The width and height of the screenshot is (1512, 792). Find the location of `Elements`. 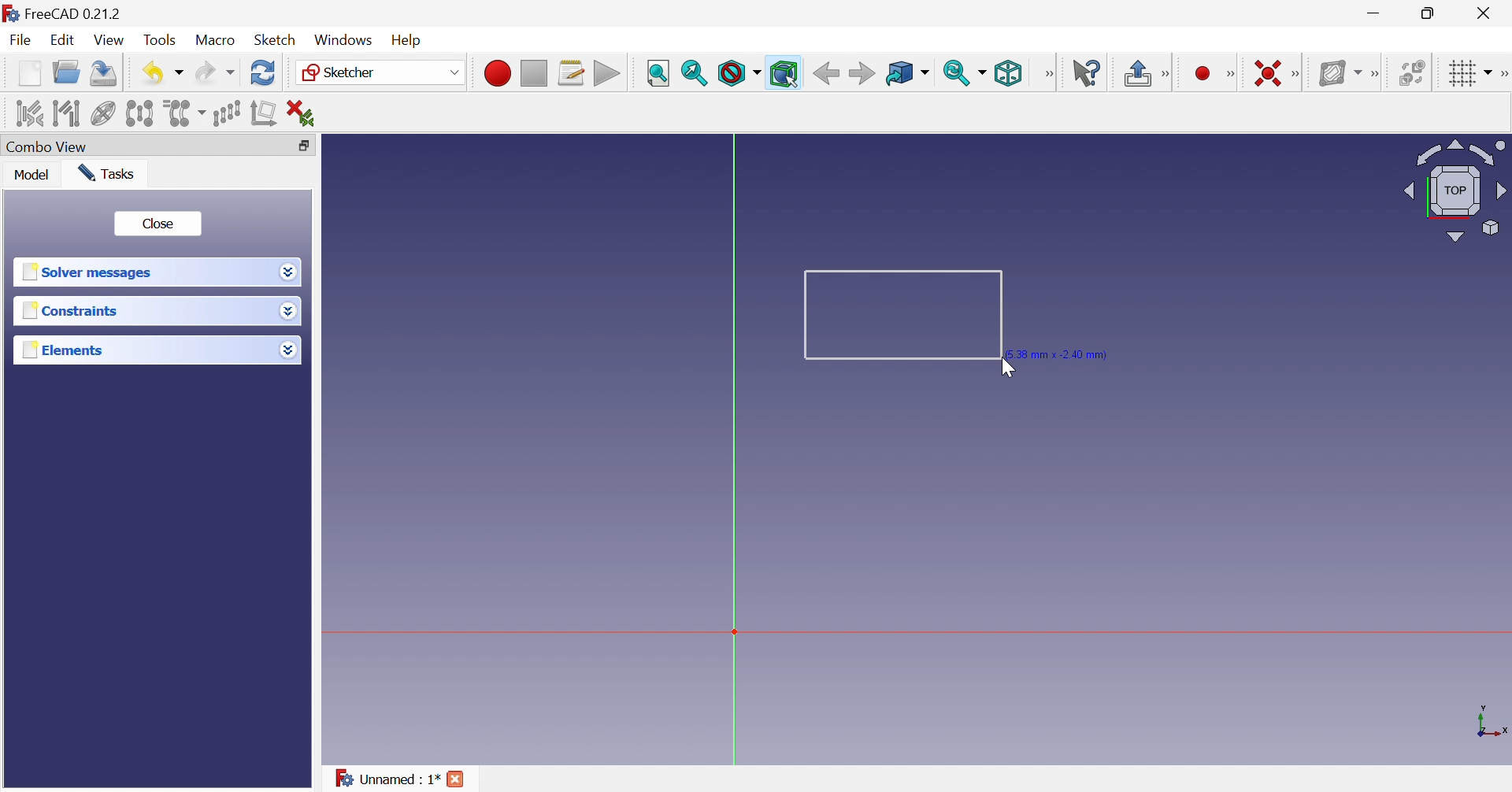

Elements is located at coordinates (65, 350).